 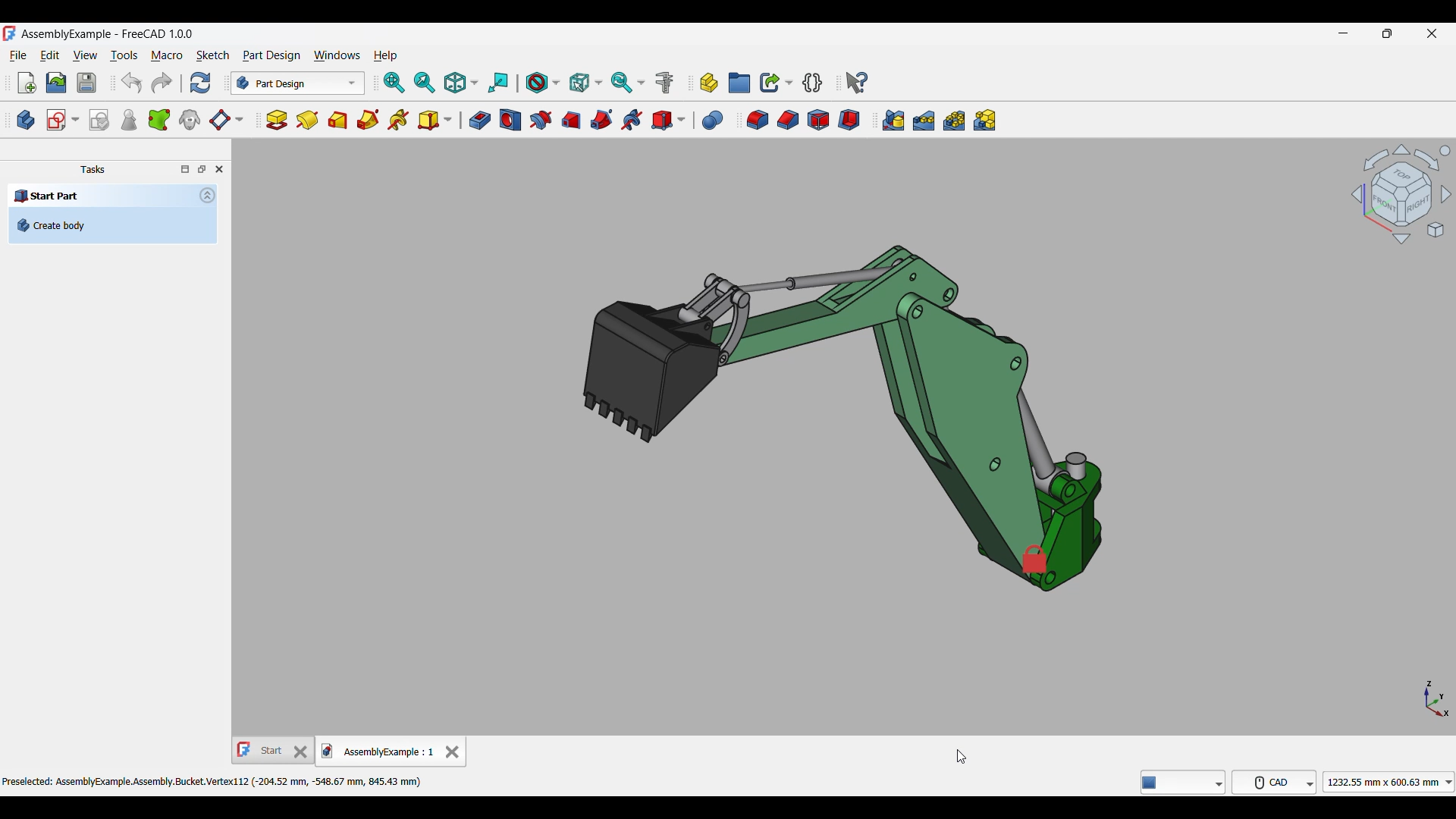 What do you see at coordinates (63, 120) in the screenshot?
I see `Create a sketch options` at bounding box center [63, 120].